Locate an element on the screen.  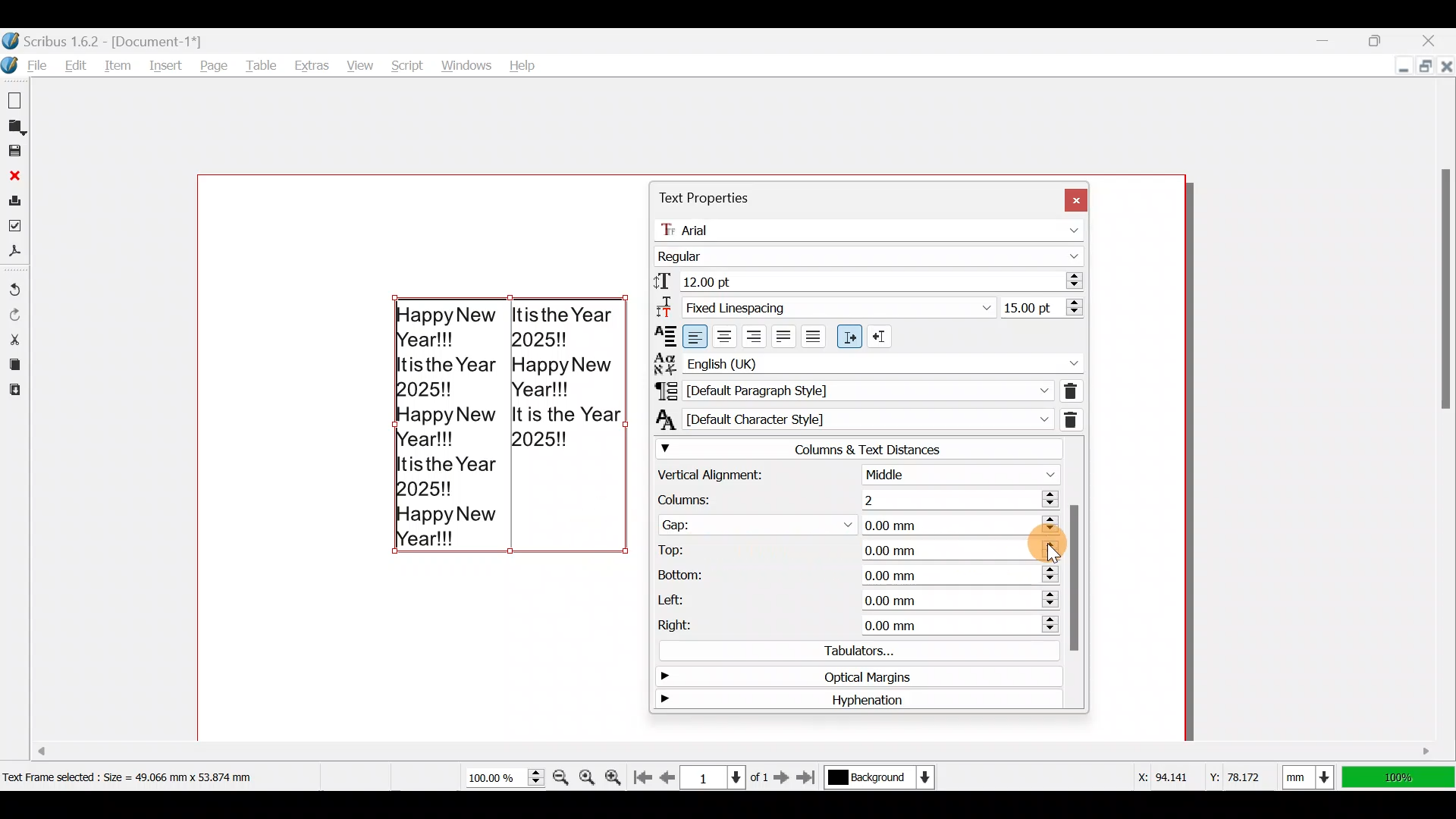
View is located at coordinates (358, 62).